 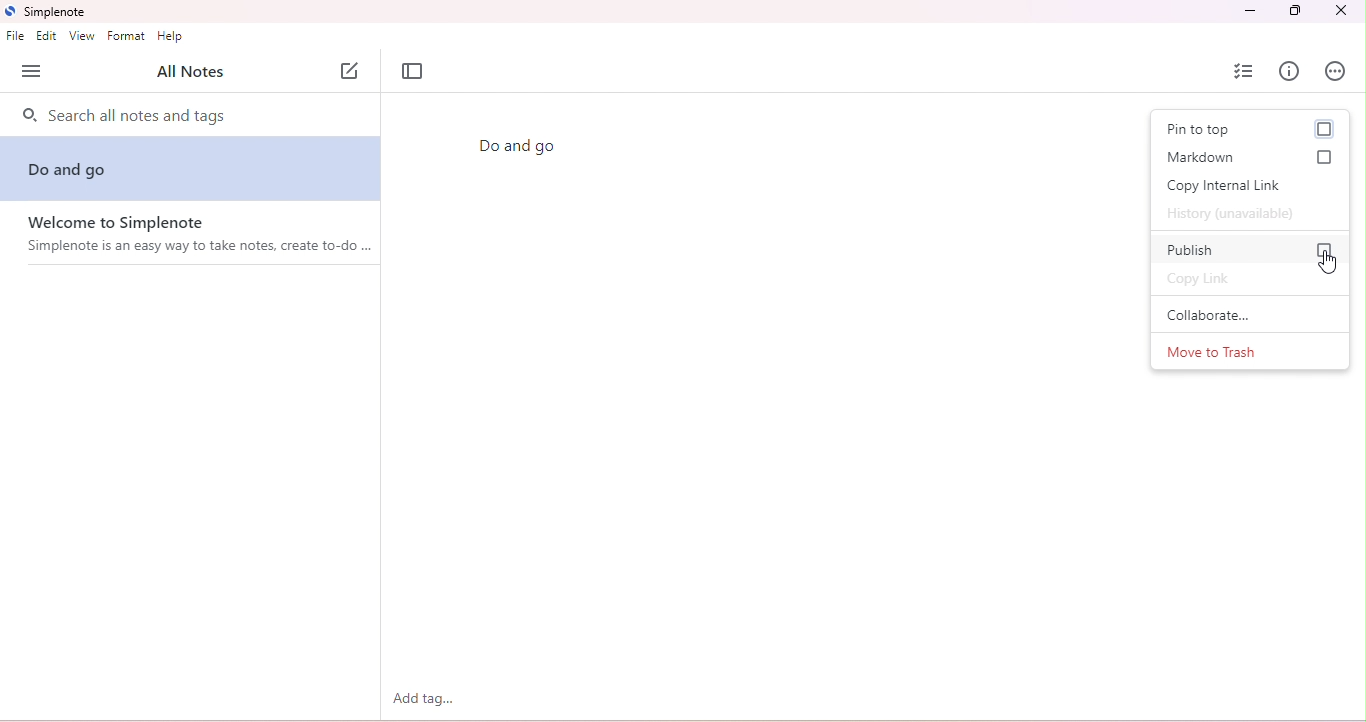 I want to click on open side bar, so click(x=31, y=72).